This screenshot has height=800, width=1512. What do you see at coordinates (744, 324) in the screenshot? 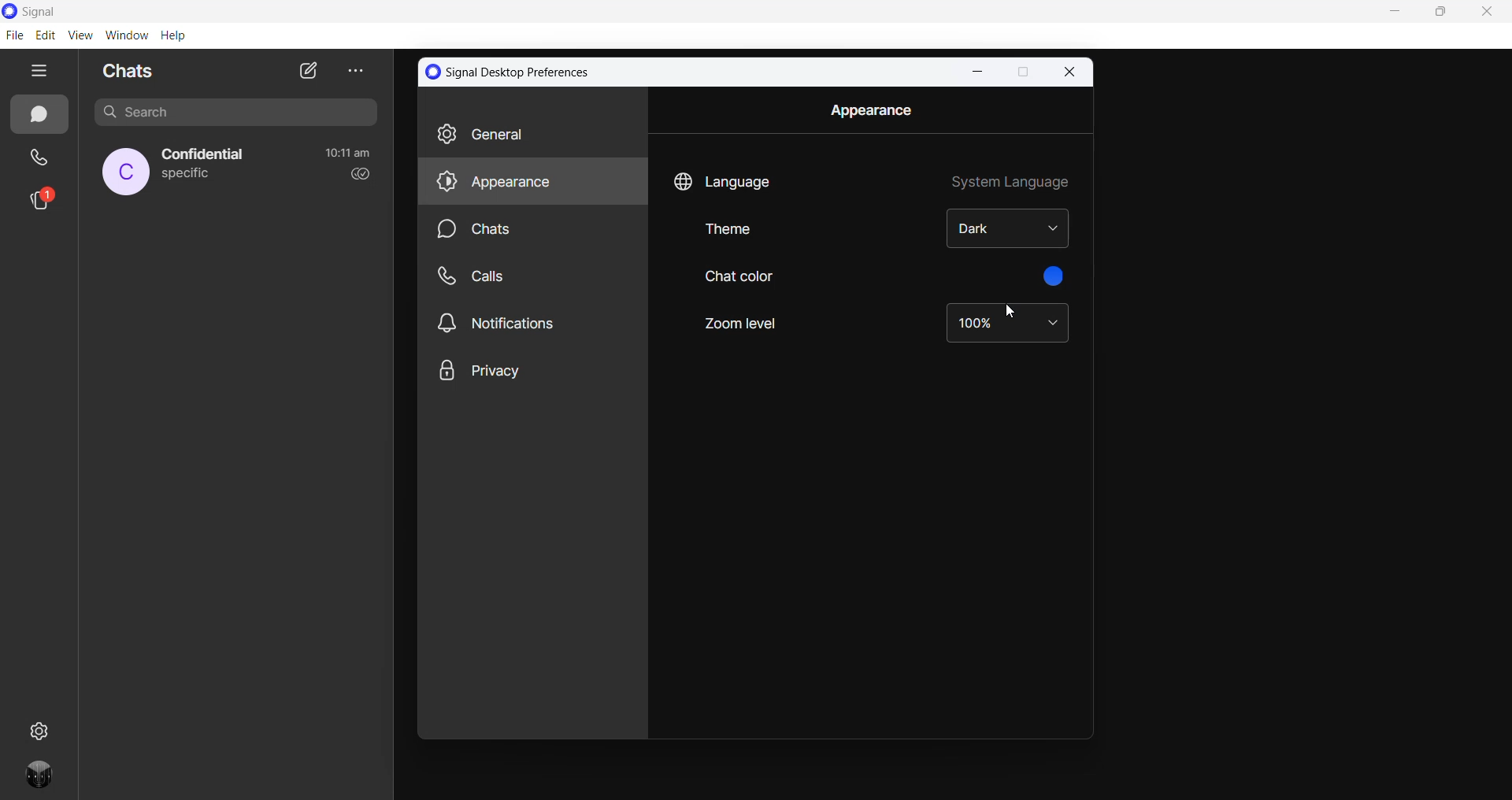
I see `zoom level` at bounding box center [744, 324].